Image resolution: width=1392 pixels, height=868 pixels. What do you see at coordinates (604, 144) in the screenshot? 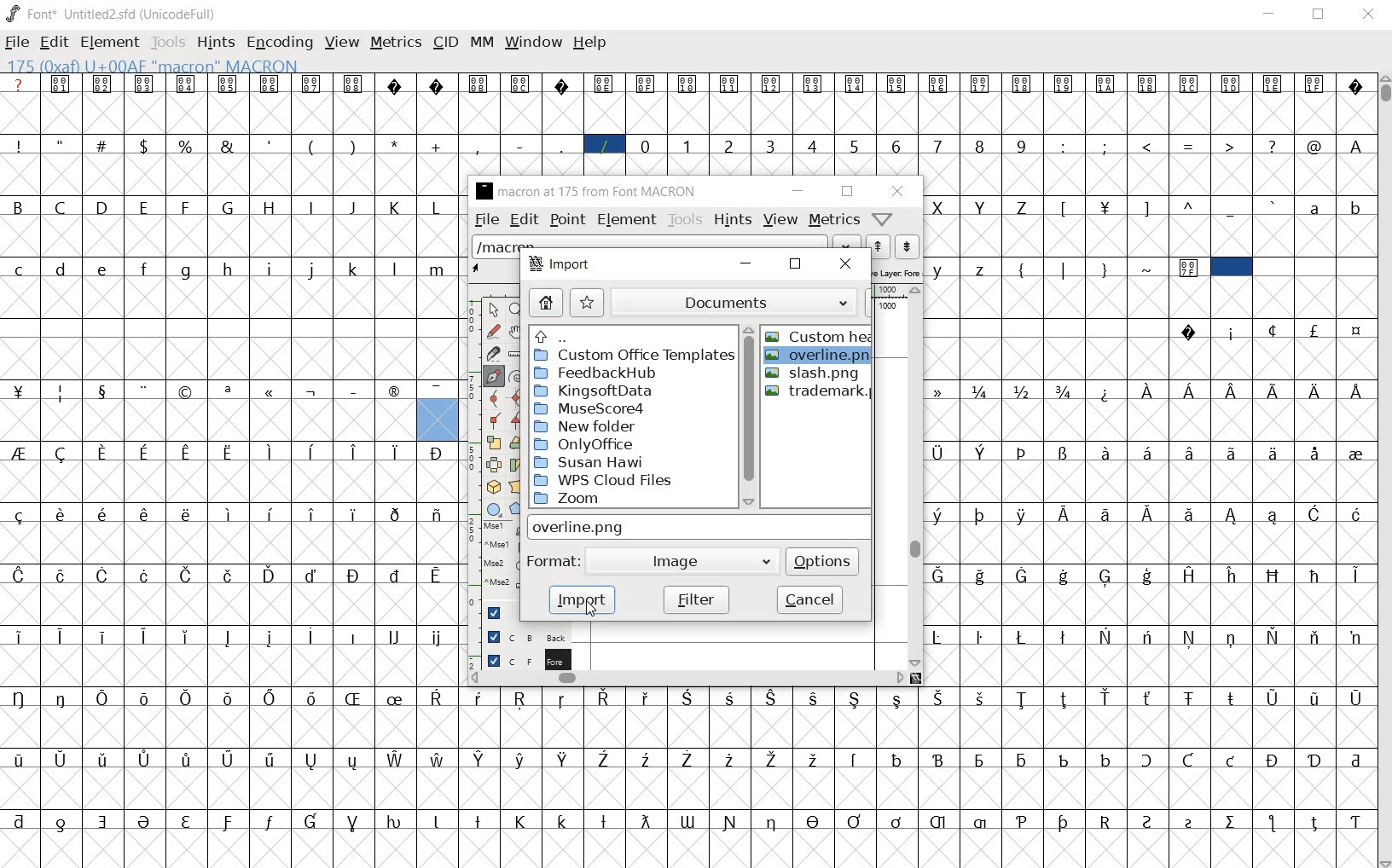
I see `/` at bounding box center [604, 144].